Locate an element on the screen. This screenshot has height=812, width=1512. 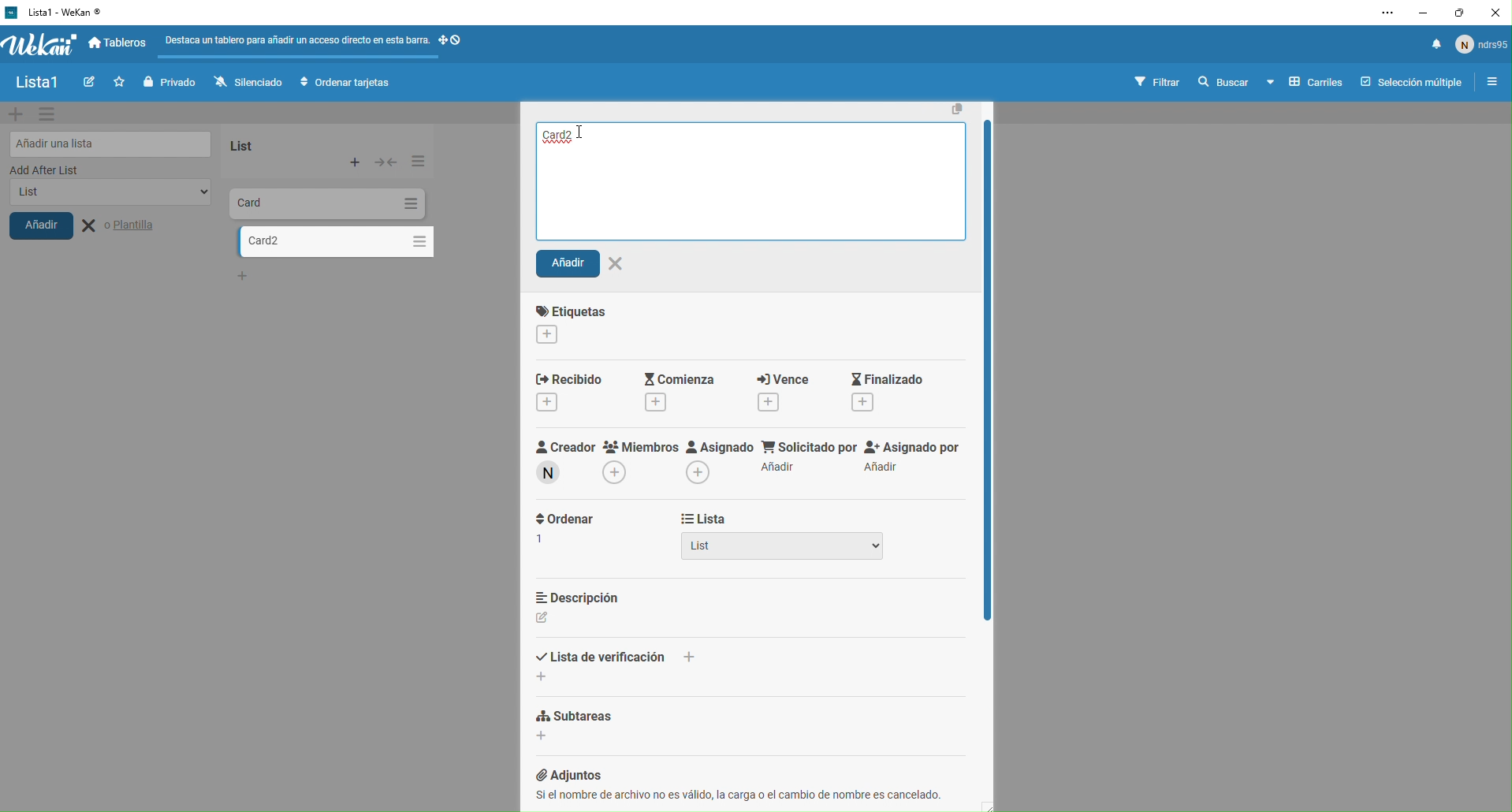
Miembros is located at coordinates (639, 452).